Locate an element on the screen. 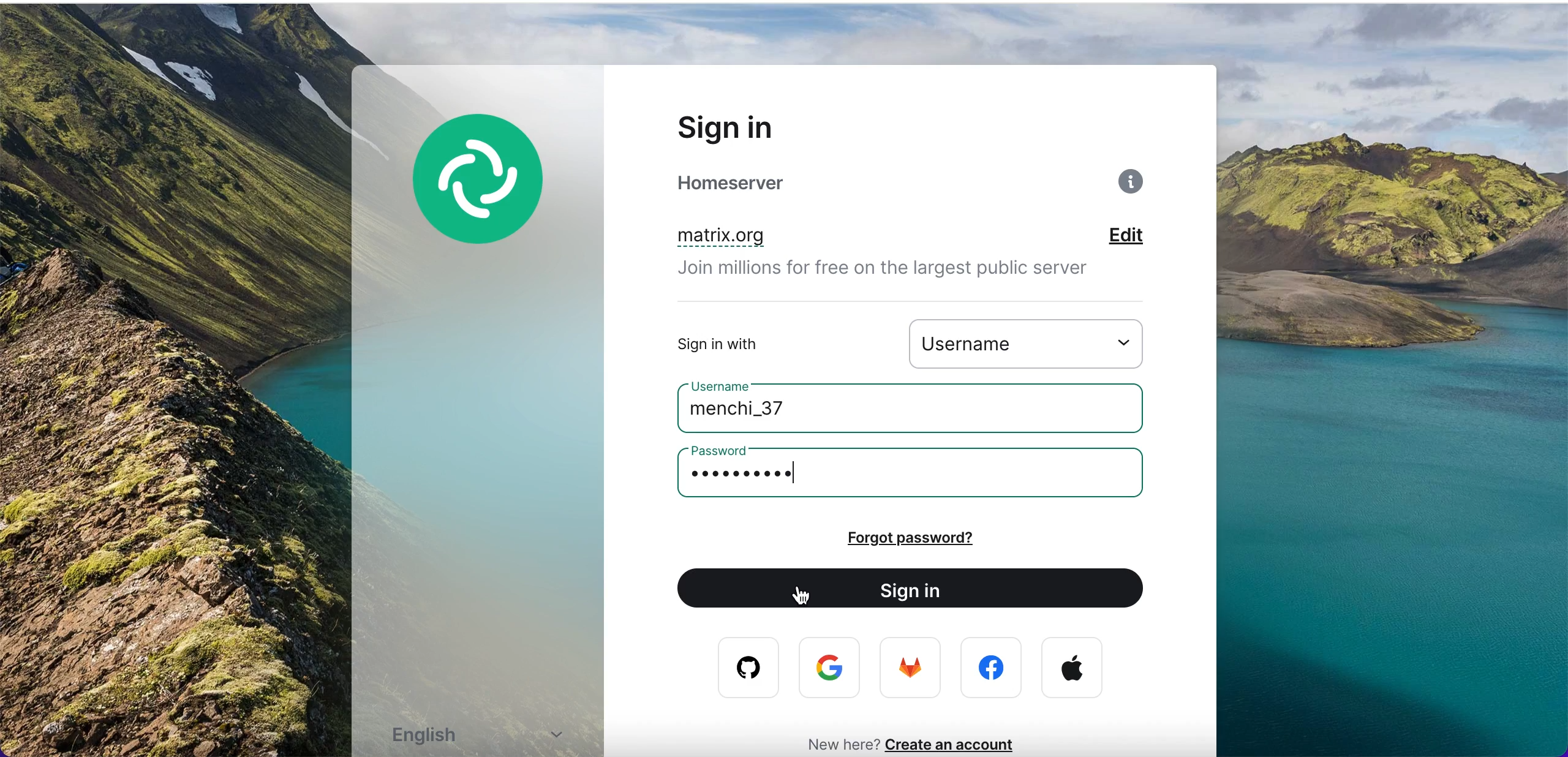  cursor on sign in is located at coordinates (810, 600).